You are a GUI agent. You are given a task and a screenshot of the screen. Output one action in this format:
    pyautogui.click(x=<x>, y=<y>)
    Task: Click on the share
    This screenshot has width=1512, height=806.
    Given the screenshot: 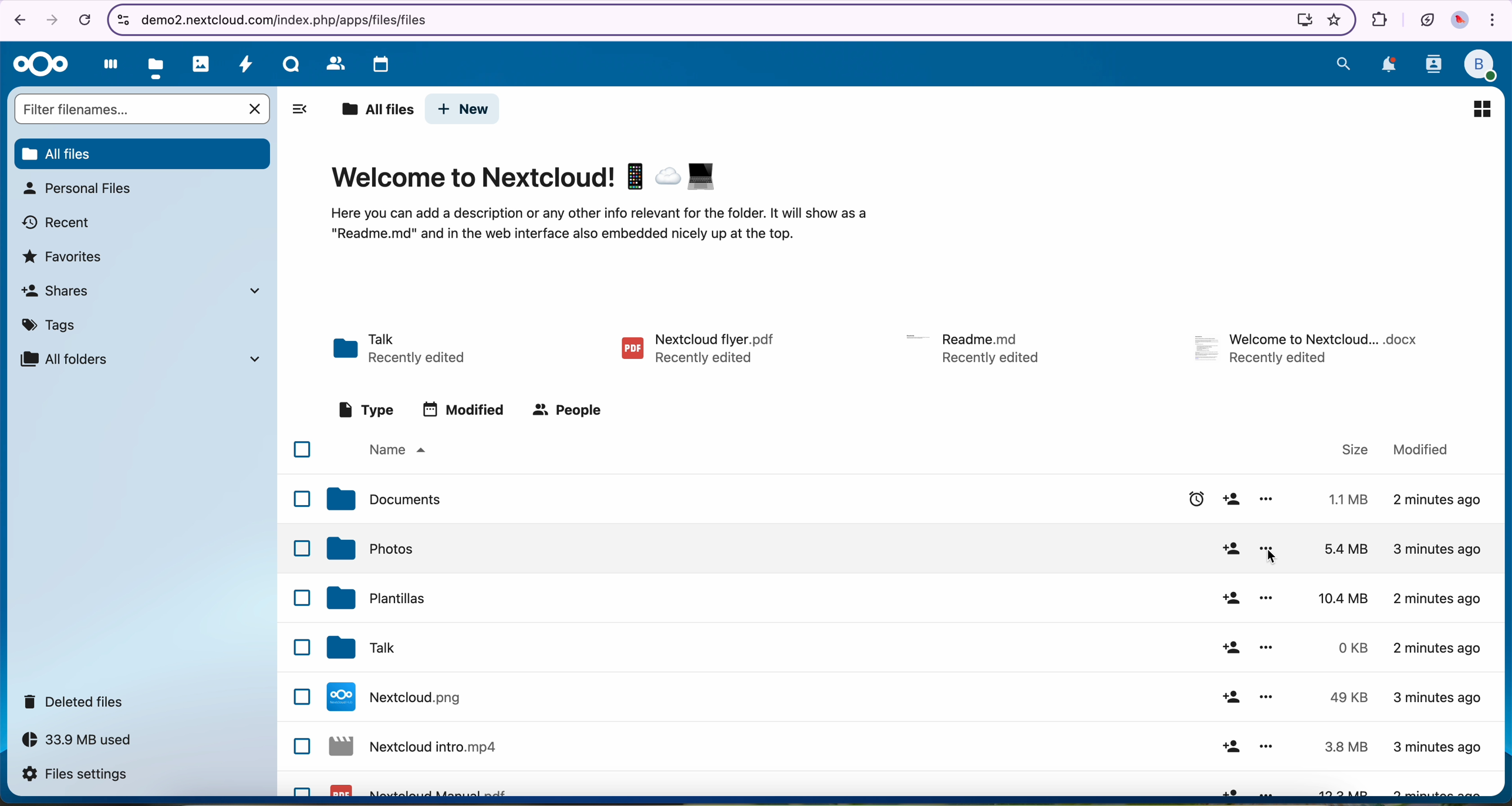 What is the action you would take?
    pyautogui.click(x=1233, y=499)
    